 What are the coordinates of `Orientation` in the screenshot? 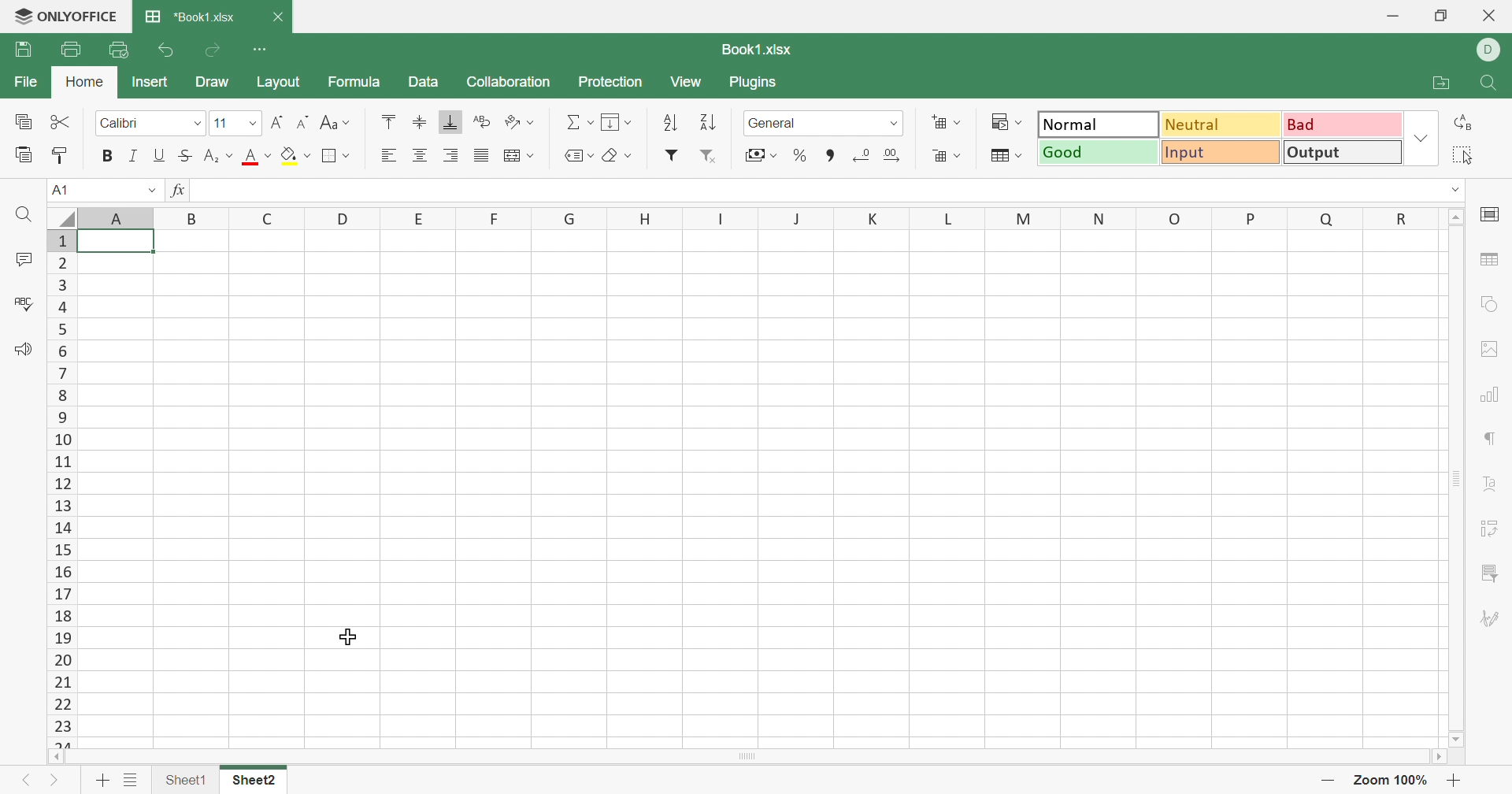 It's located at (511, 119).